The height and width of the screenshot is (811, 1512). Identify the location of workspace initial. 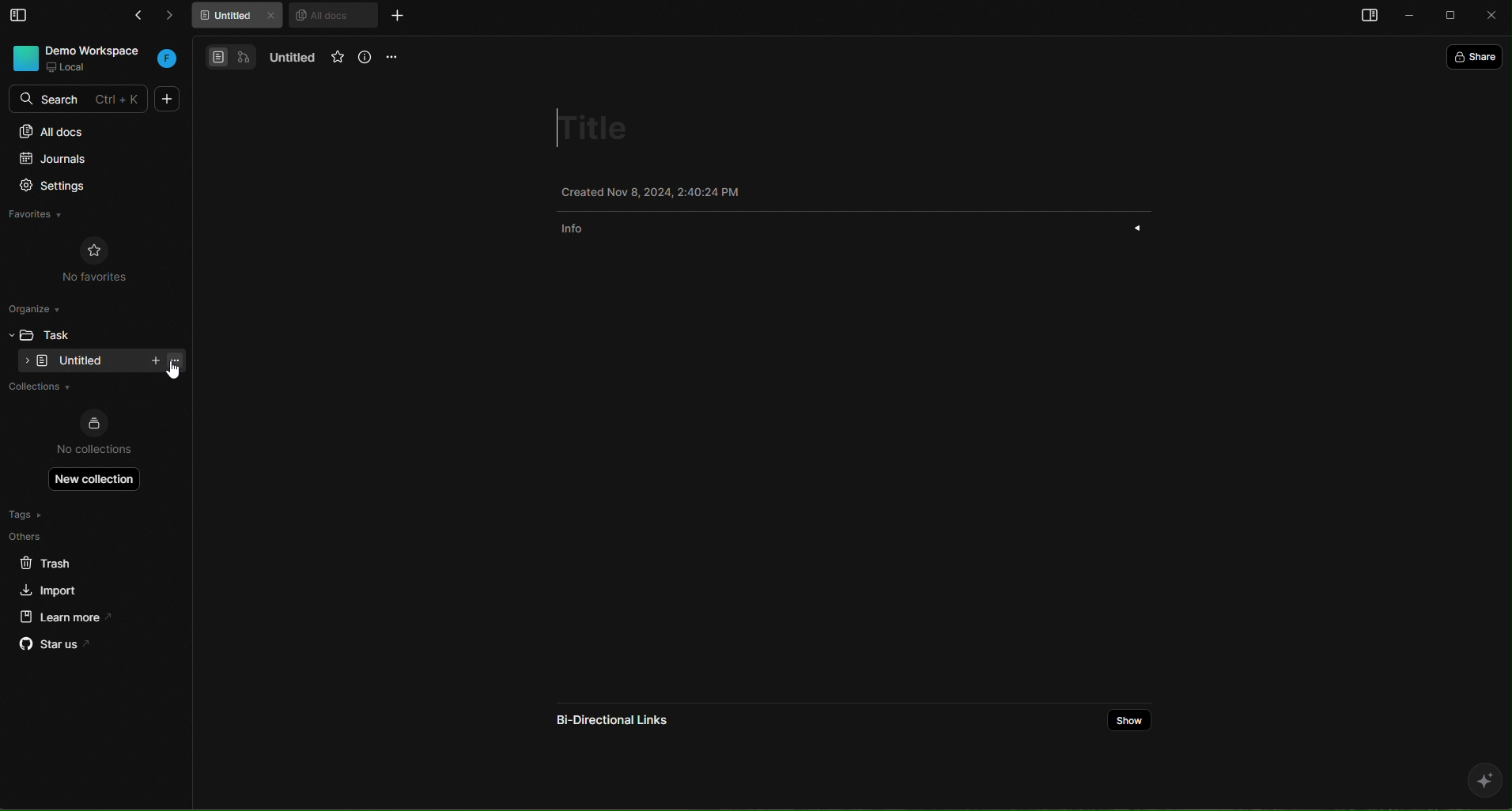
(168, 60).